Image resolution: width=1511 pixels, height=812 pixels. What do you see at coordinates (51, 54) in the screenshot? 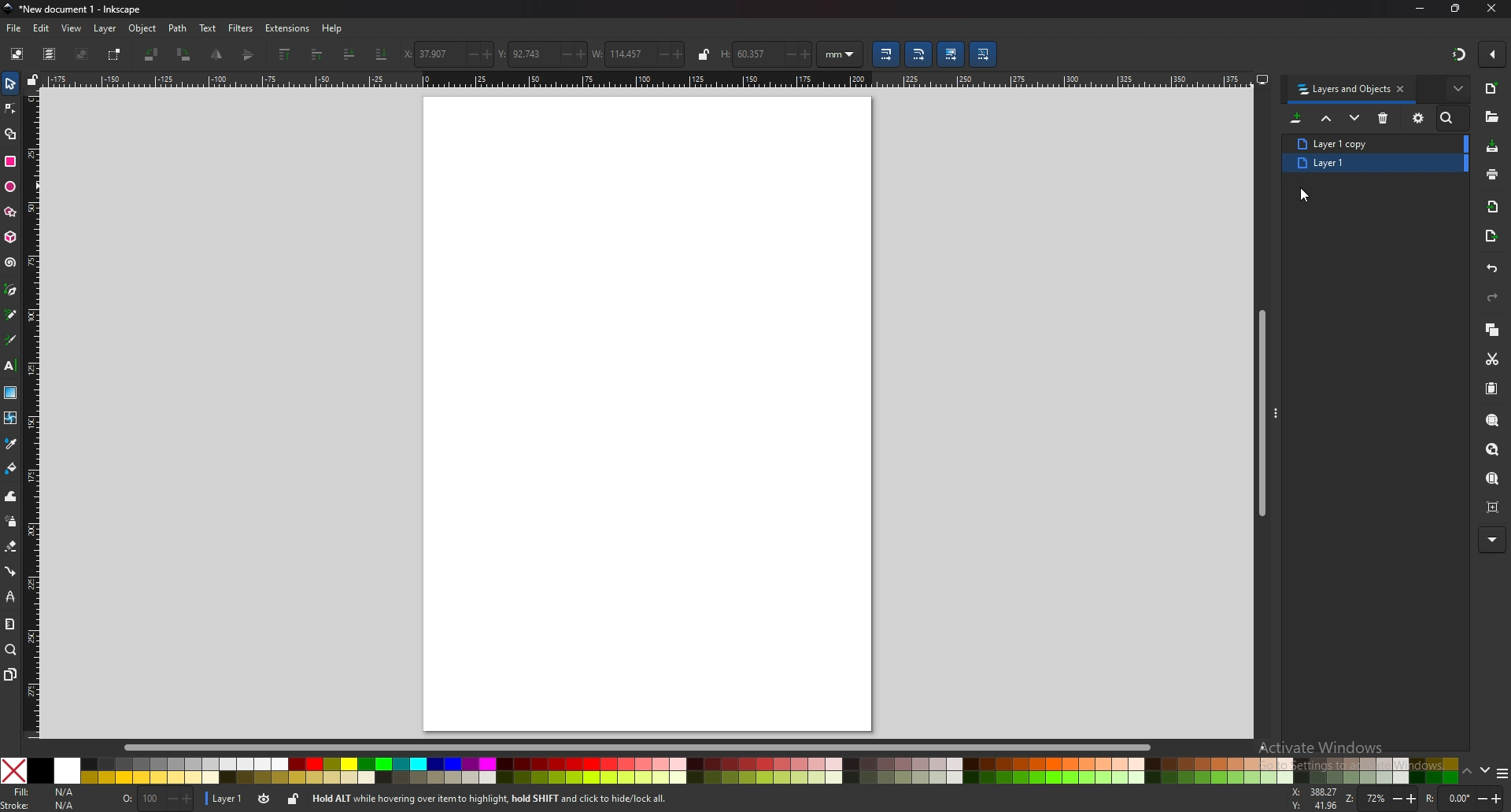
I see `select all in all layers` at bounding box center [51, 54].